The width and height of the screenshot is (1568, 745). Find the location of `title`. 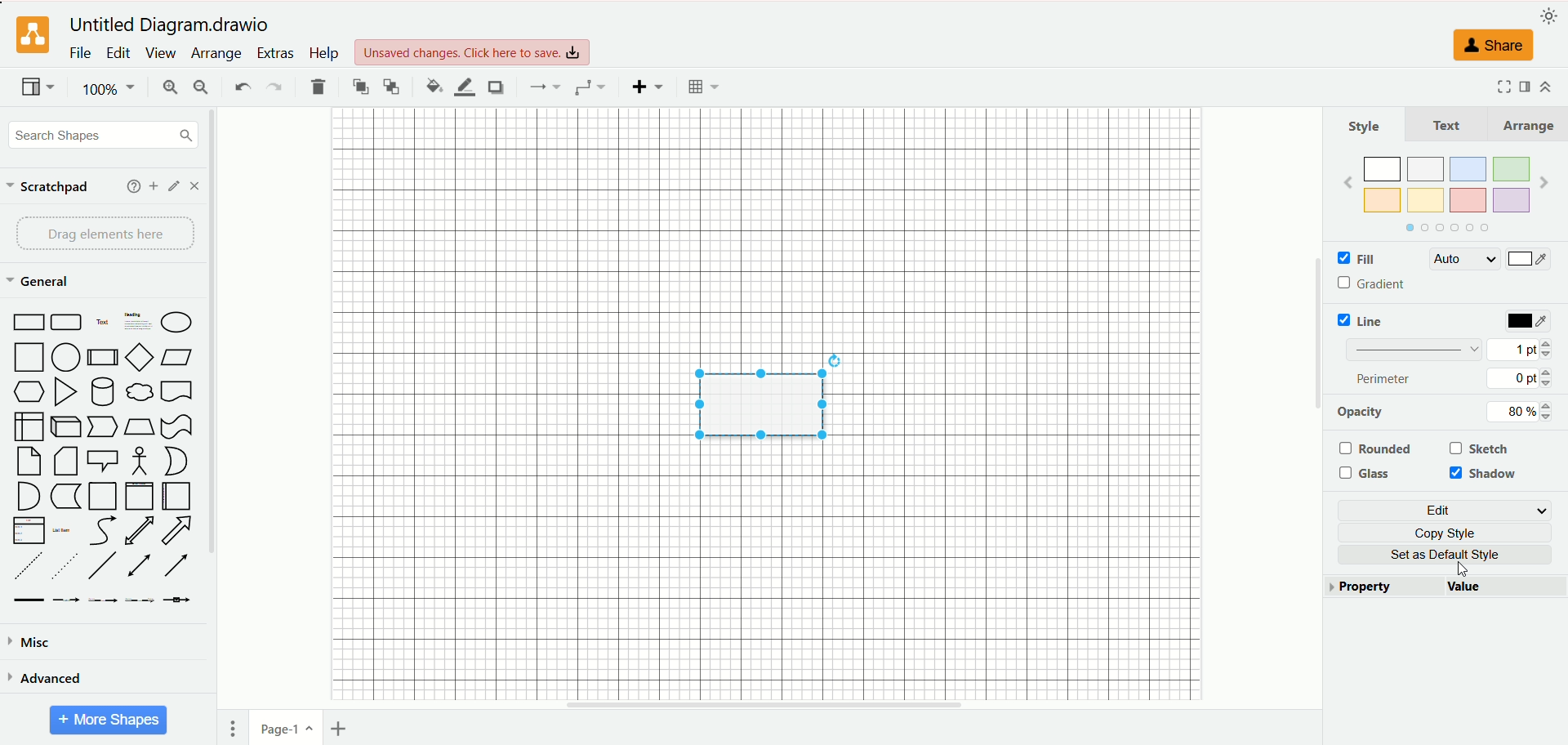

title is located at coordinates (173, 25).